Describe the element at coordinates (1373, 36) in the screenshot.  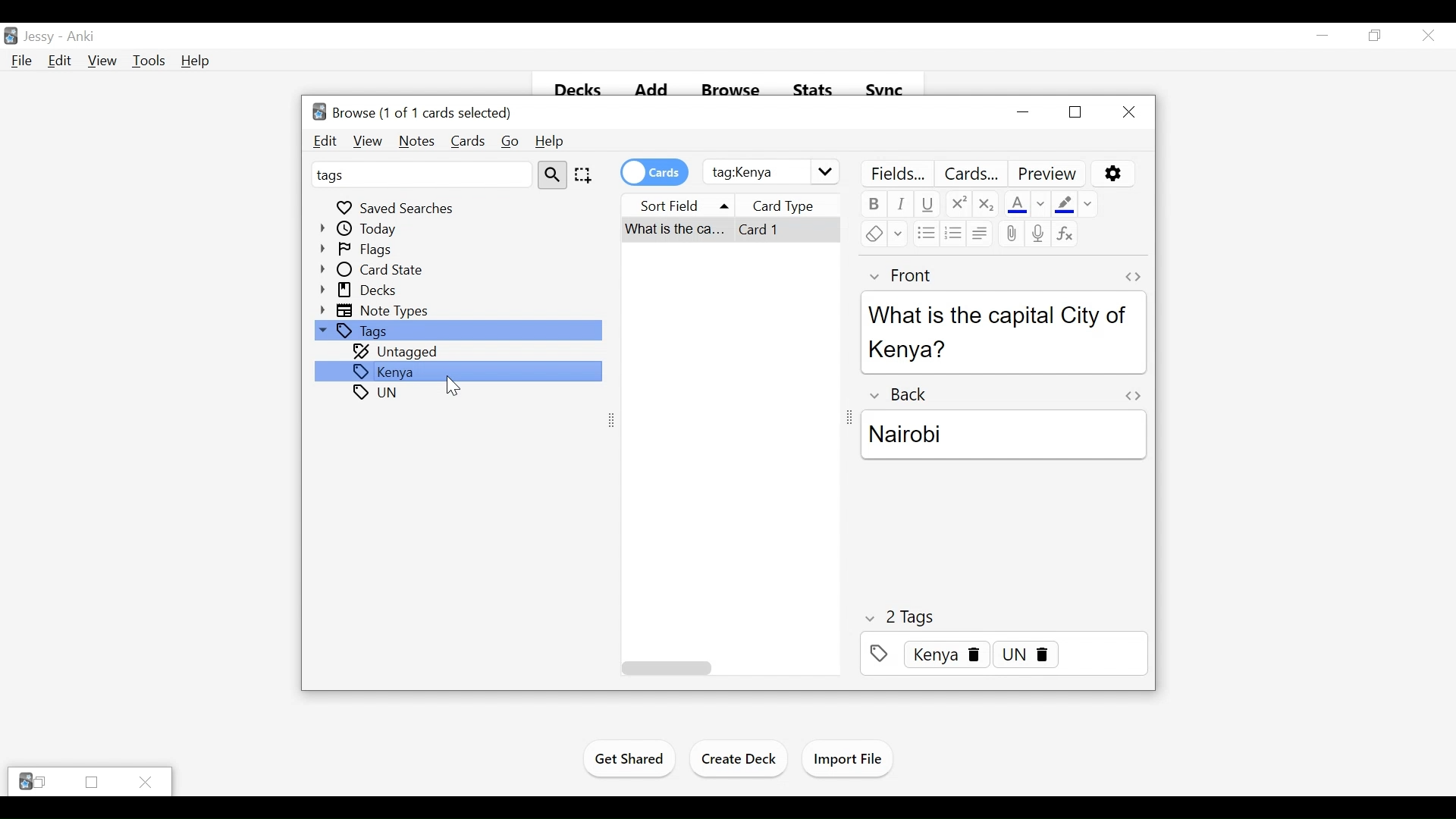
I see `Restore` at that location.